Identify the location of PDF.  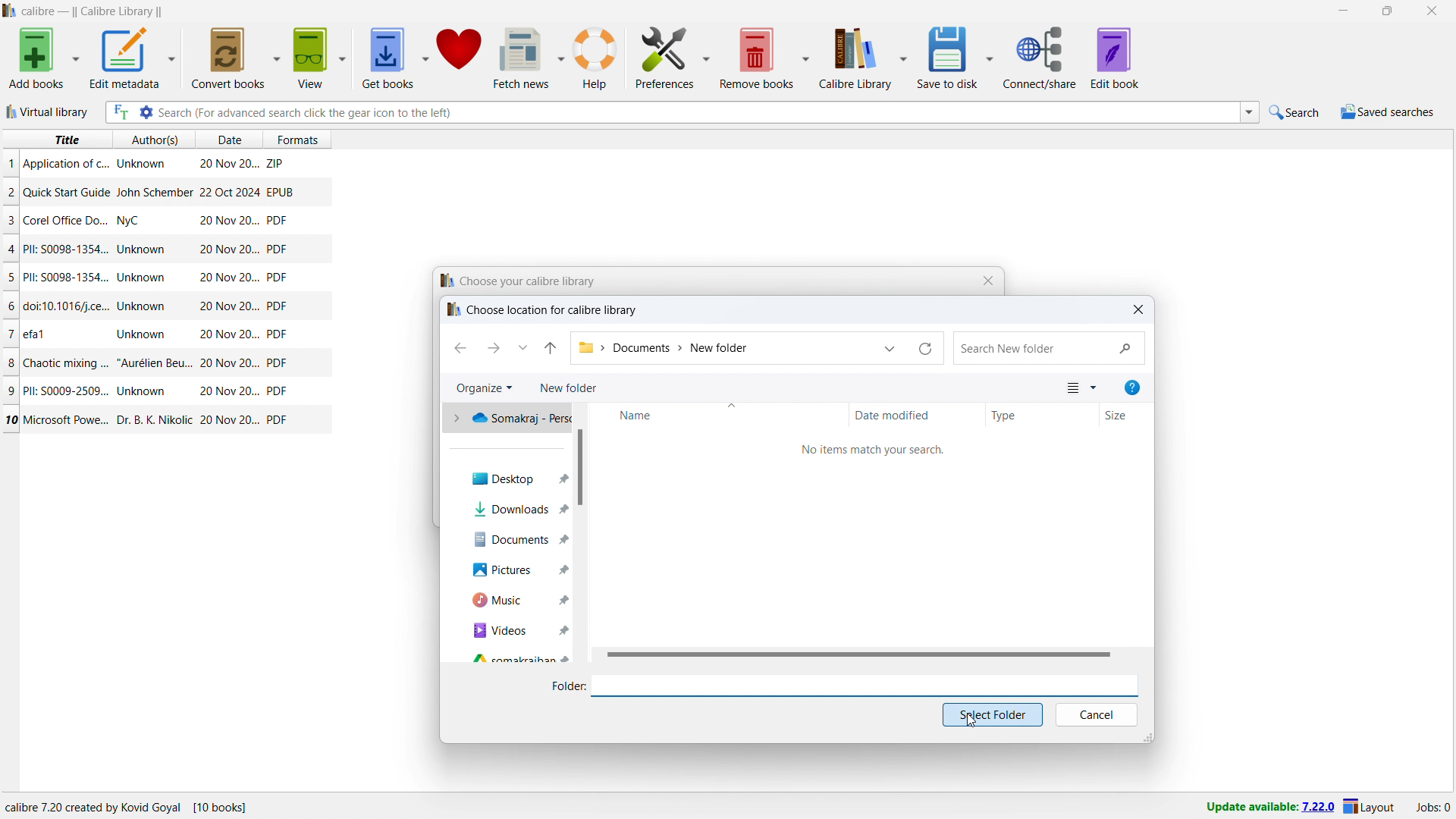
(277, 220).